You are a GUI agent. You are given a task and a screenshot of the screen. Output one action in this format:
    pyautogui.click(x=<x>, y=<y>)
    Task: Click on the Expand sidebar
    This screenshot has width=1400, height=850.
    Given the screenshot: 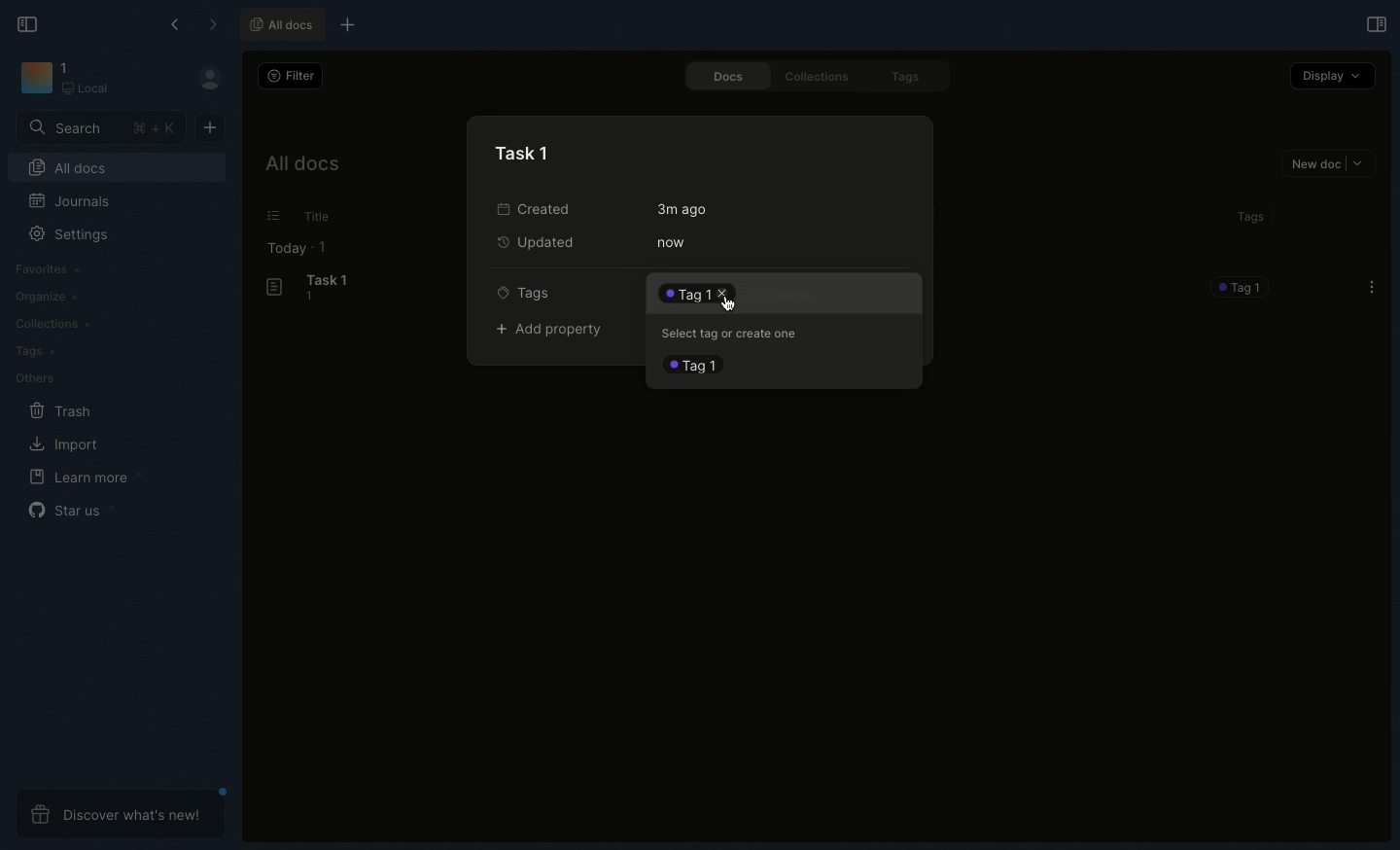 What is the action you would take?
    pyautogui.click(x=1376, y=23)
    